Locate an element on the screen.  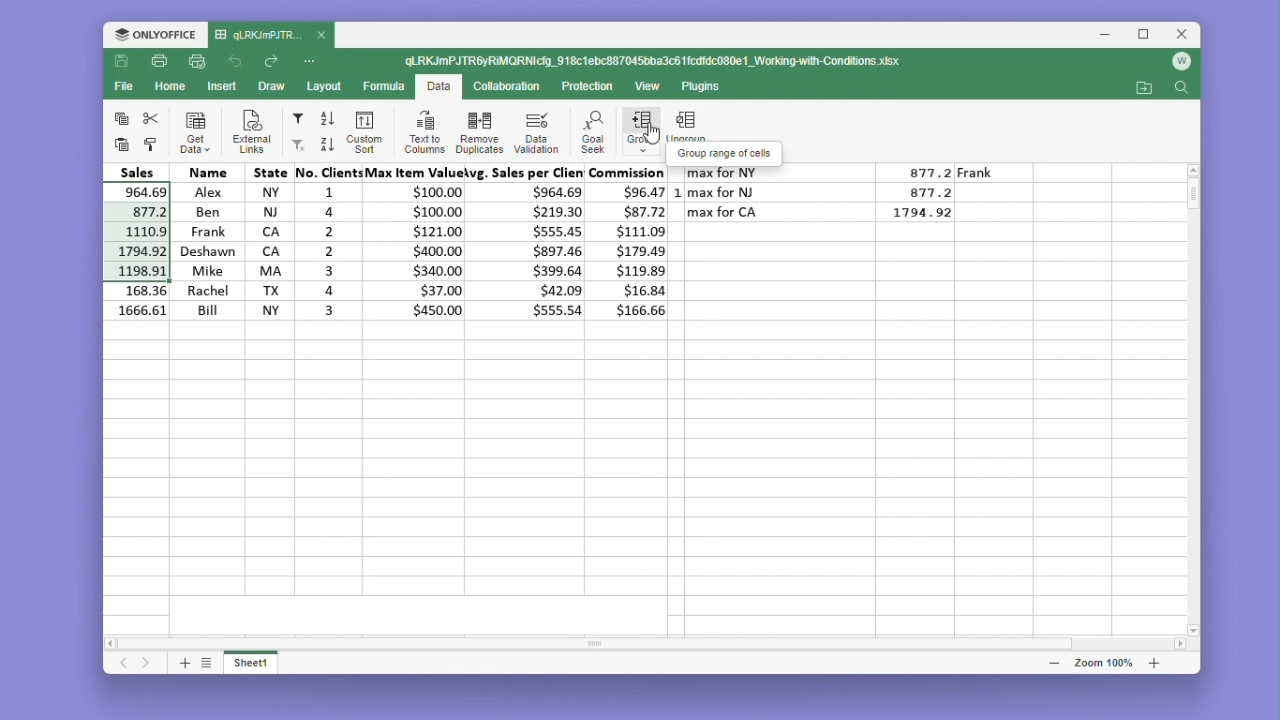
Account icon is located at coordinates (1181, 62).